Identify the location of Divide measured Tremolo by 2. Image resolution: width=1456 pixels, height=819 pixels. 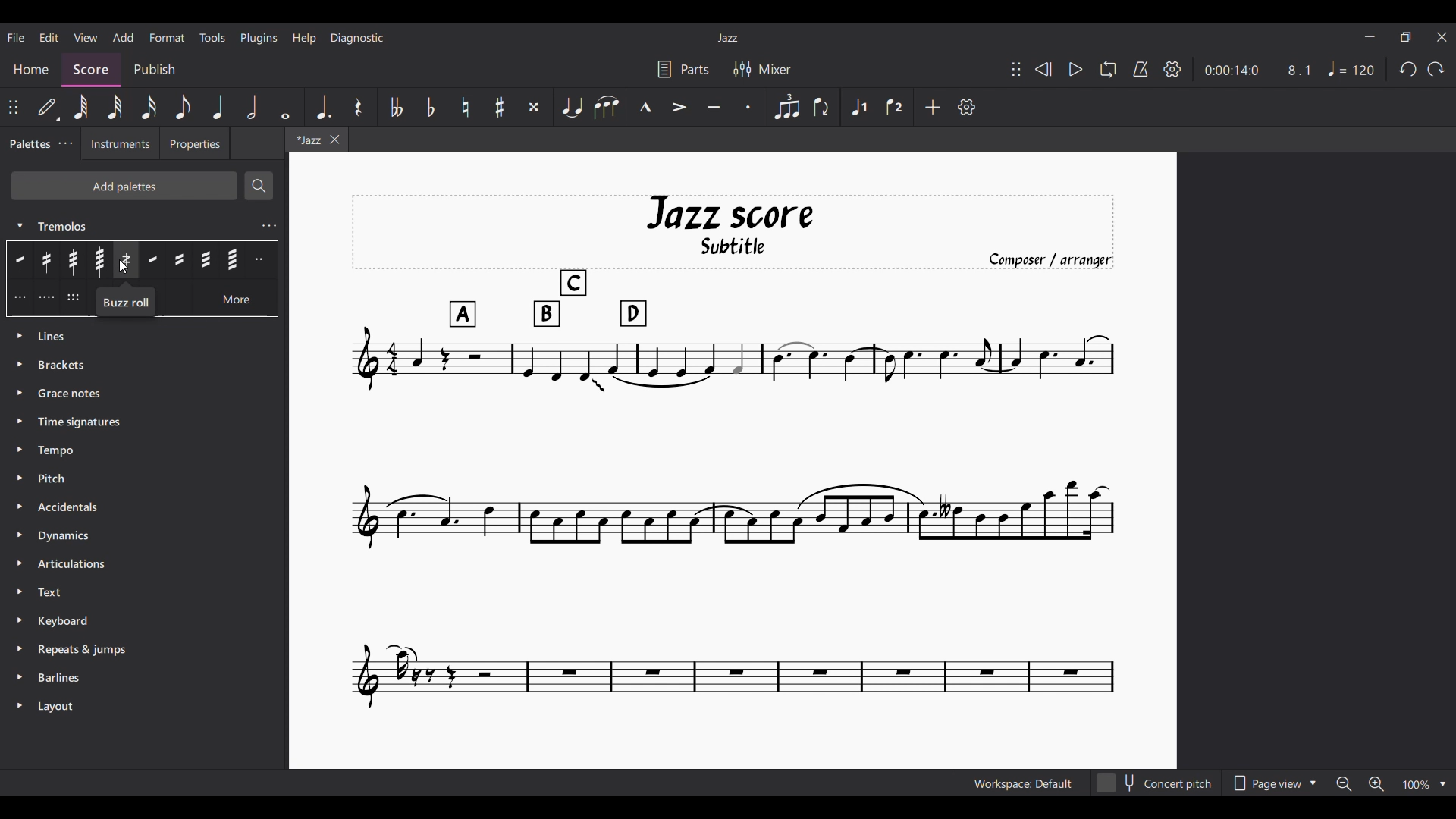
(262, 259).